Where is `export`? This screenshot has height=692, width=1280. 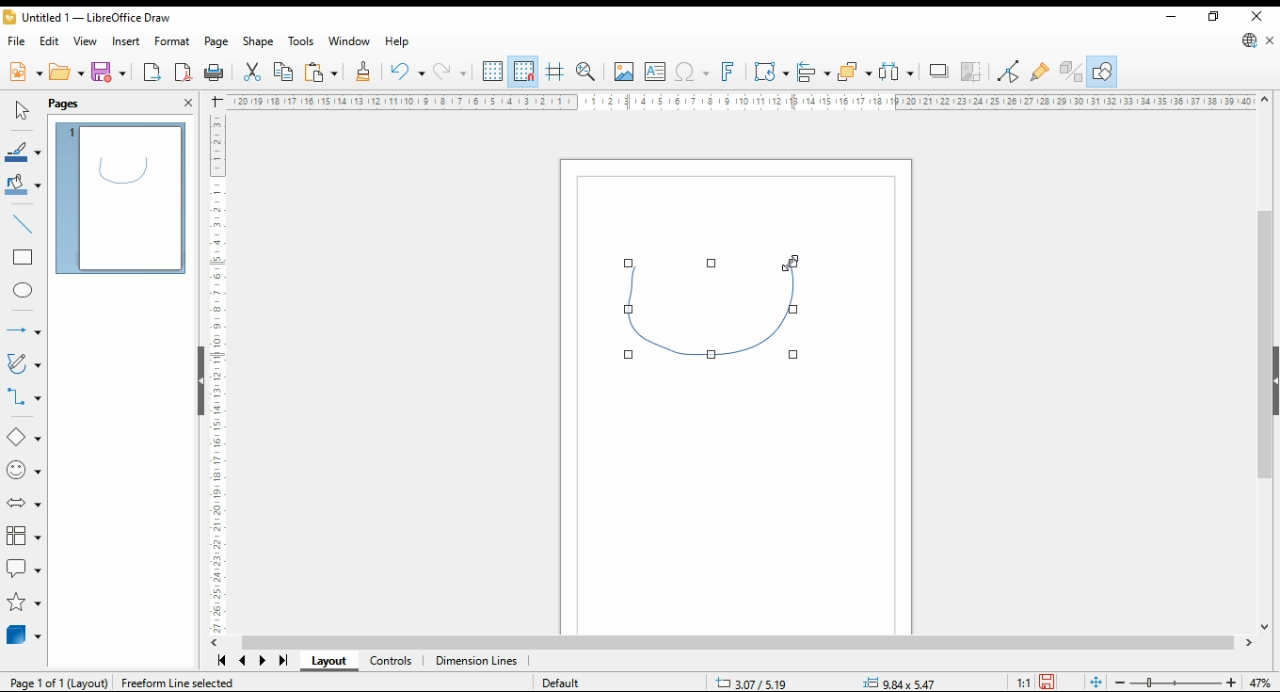 export is located at coordinates (154, 72).